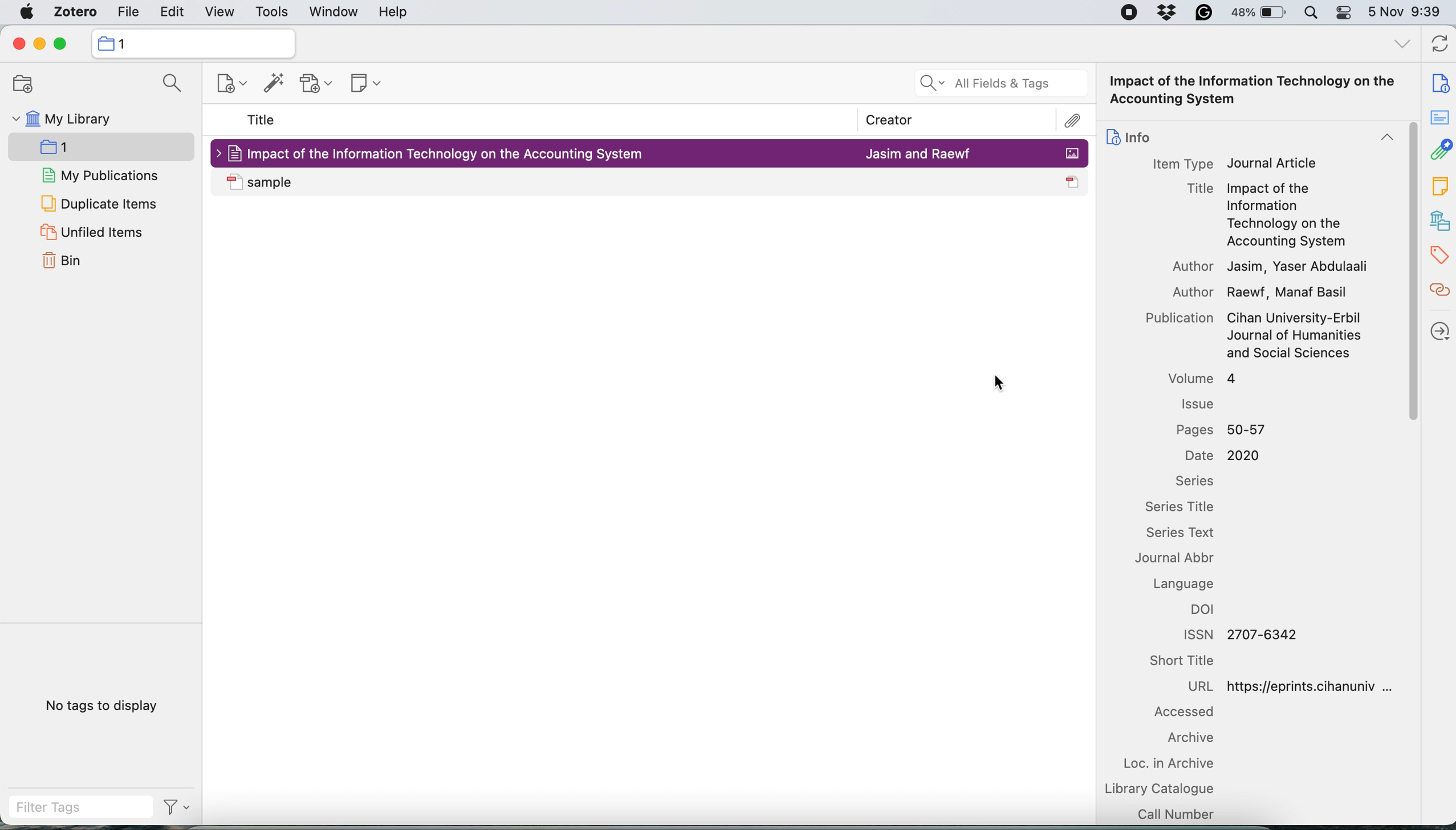 This screenshot has width=1456, height=830. What do you see at coordinates (1347, 13) in the screenshot?
I see `control center` at bounding box center [1347, 13].